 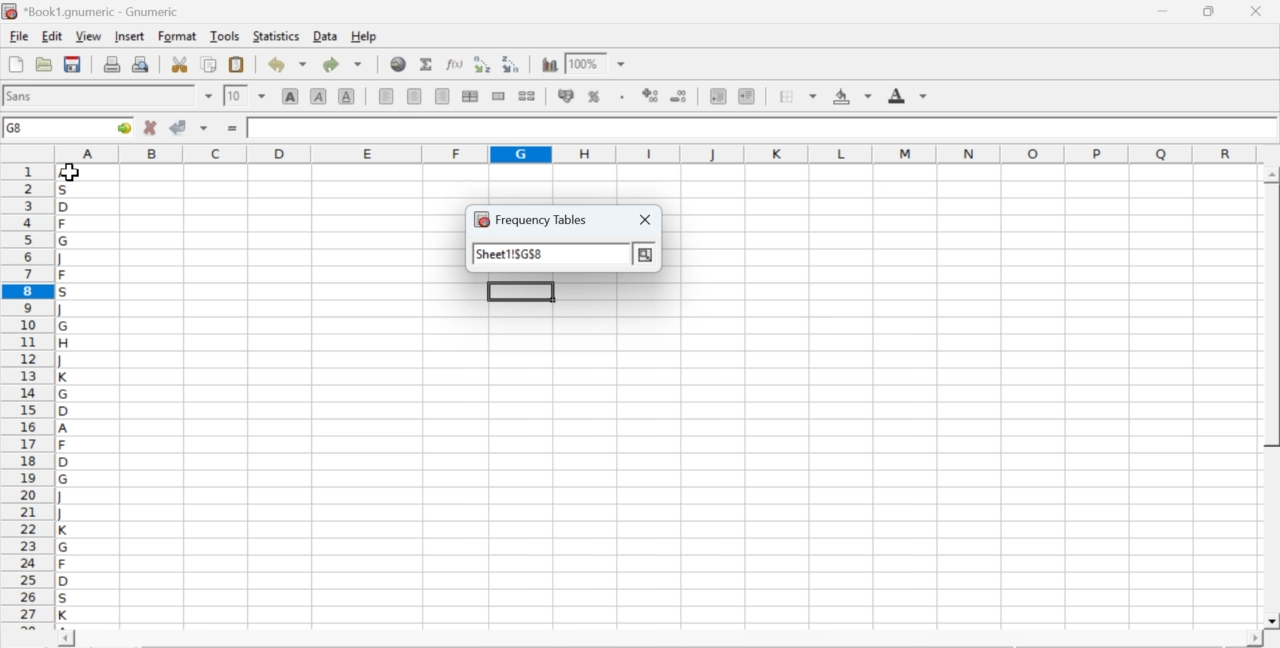 What do you see at coordinates (646, 219) in the screenshot?
I see `close` at bounding box center [646, 219].